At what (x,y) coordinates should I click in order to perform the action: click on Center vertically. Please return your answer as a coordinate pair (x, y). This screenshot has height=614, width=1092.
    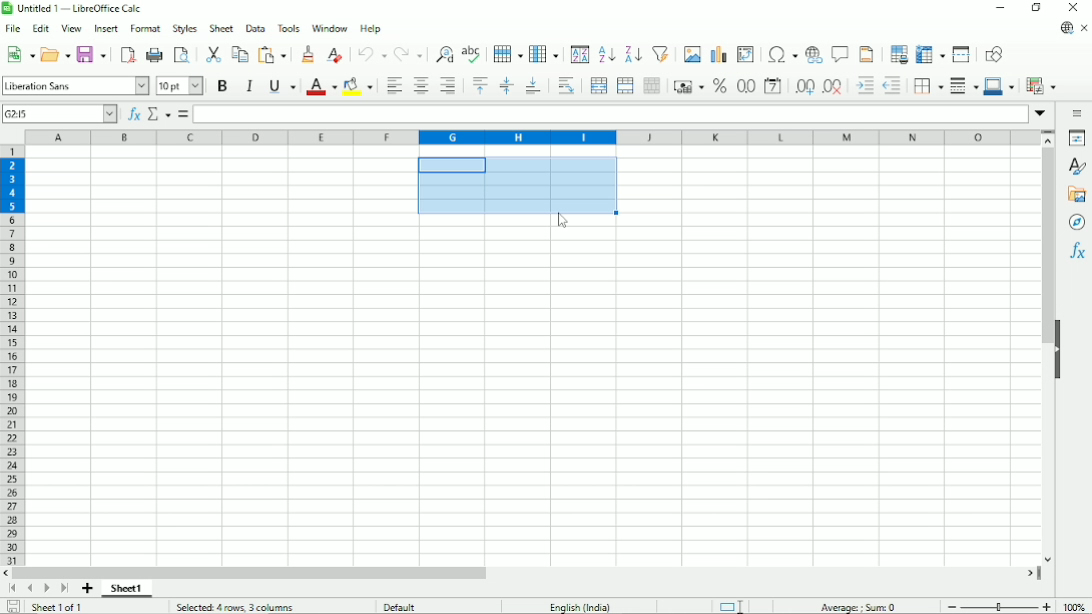
    Looking at the image, I should click on (506, 86).